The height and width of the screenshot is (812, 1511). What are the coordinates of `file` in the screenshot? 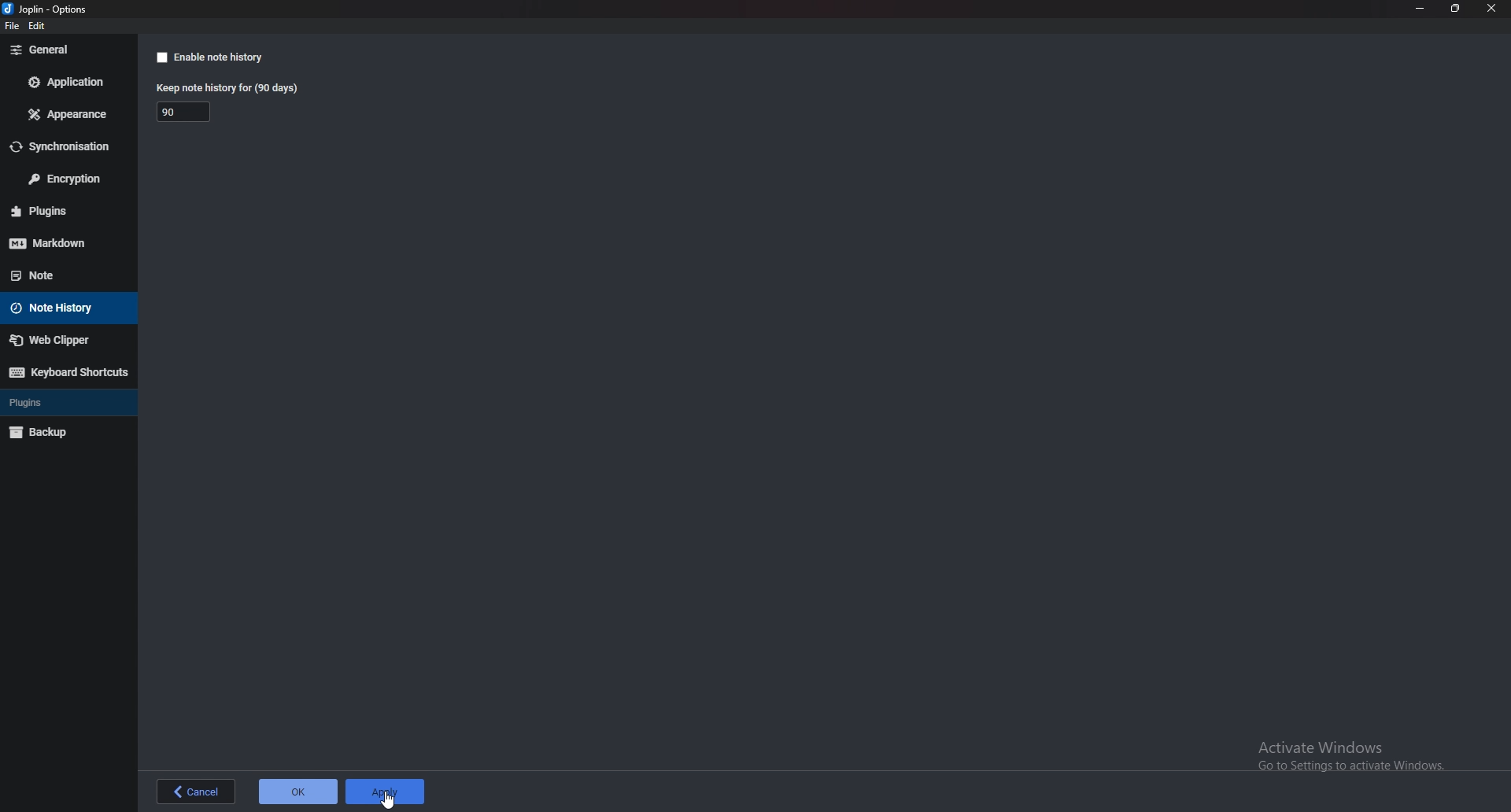 It's located at (11, 27).